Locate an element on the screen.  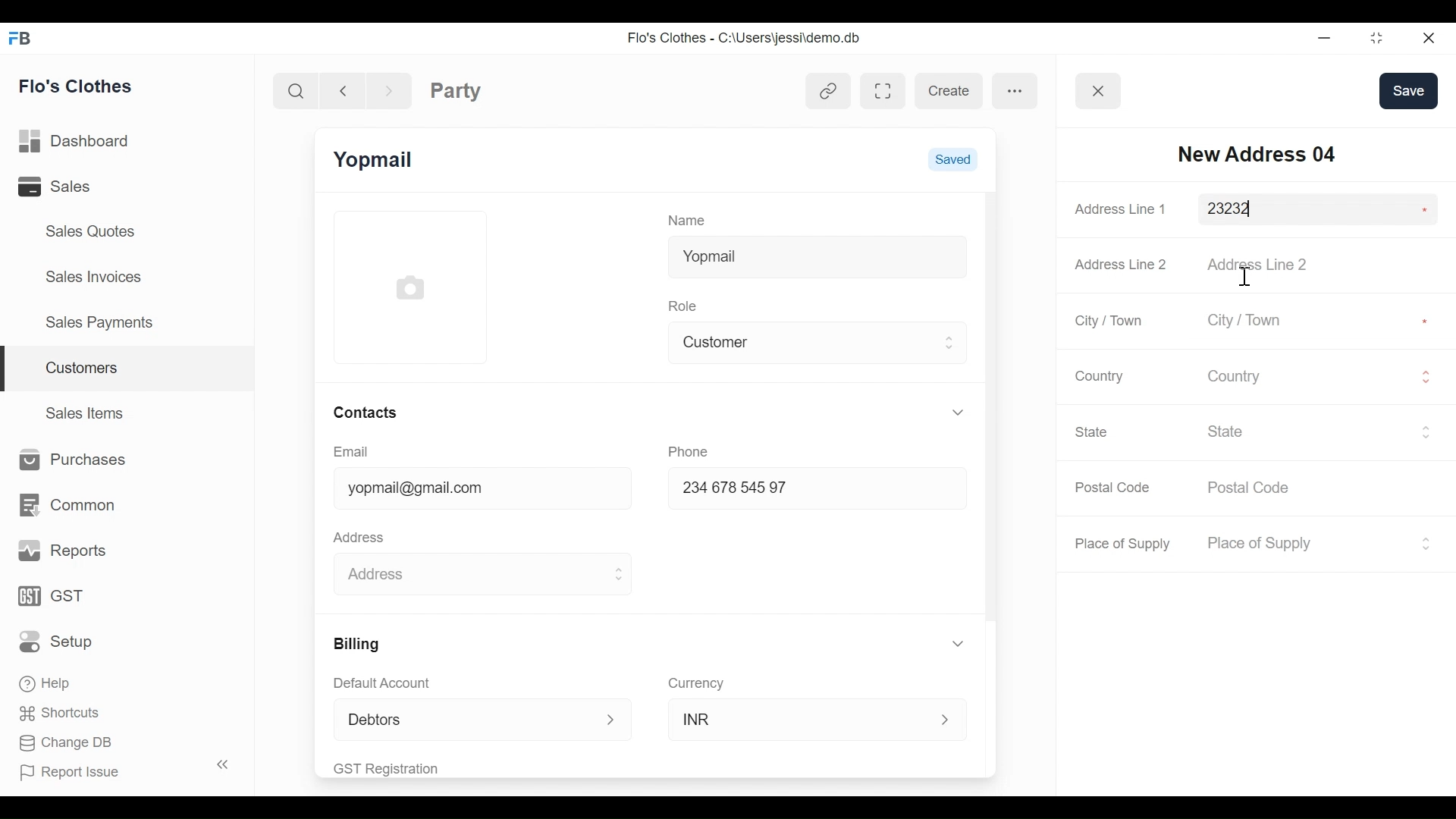
Profile Picture is located at coordinates (413, 286).